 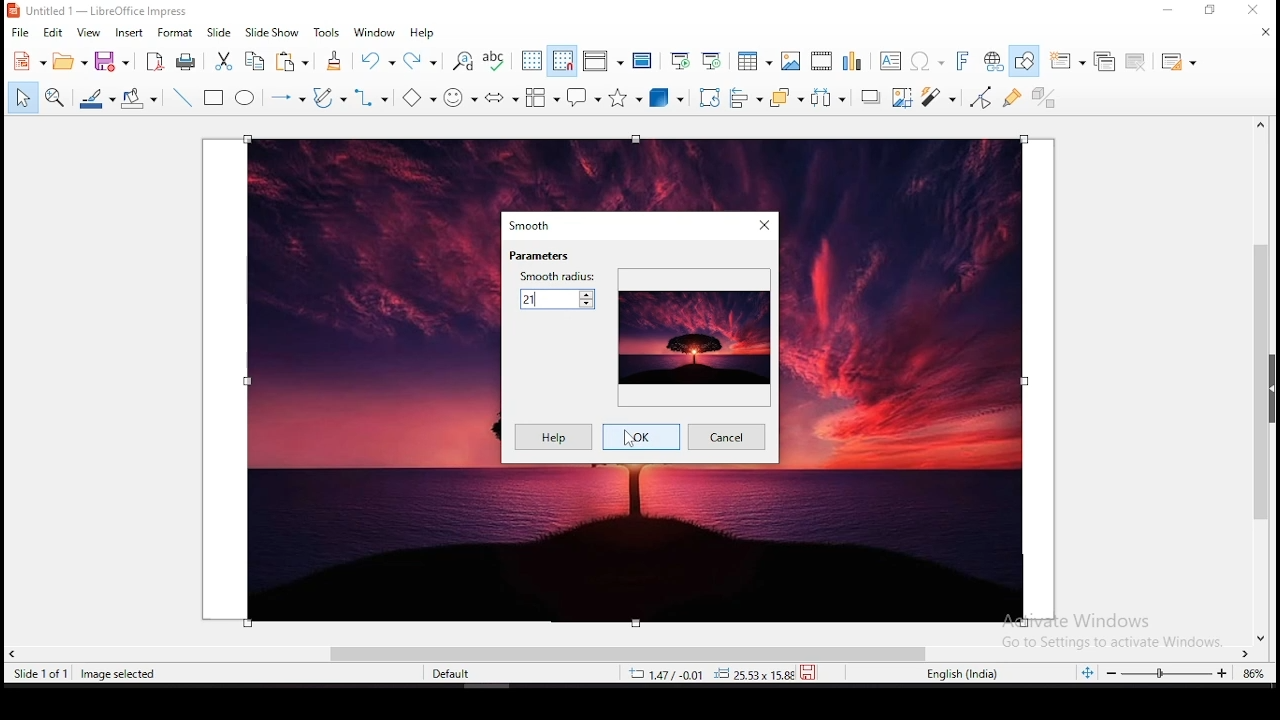 I want to click on block arrows, so click(x=502, y=97).